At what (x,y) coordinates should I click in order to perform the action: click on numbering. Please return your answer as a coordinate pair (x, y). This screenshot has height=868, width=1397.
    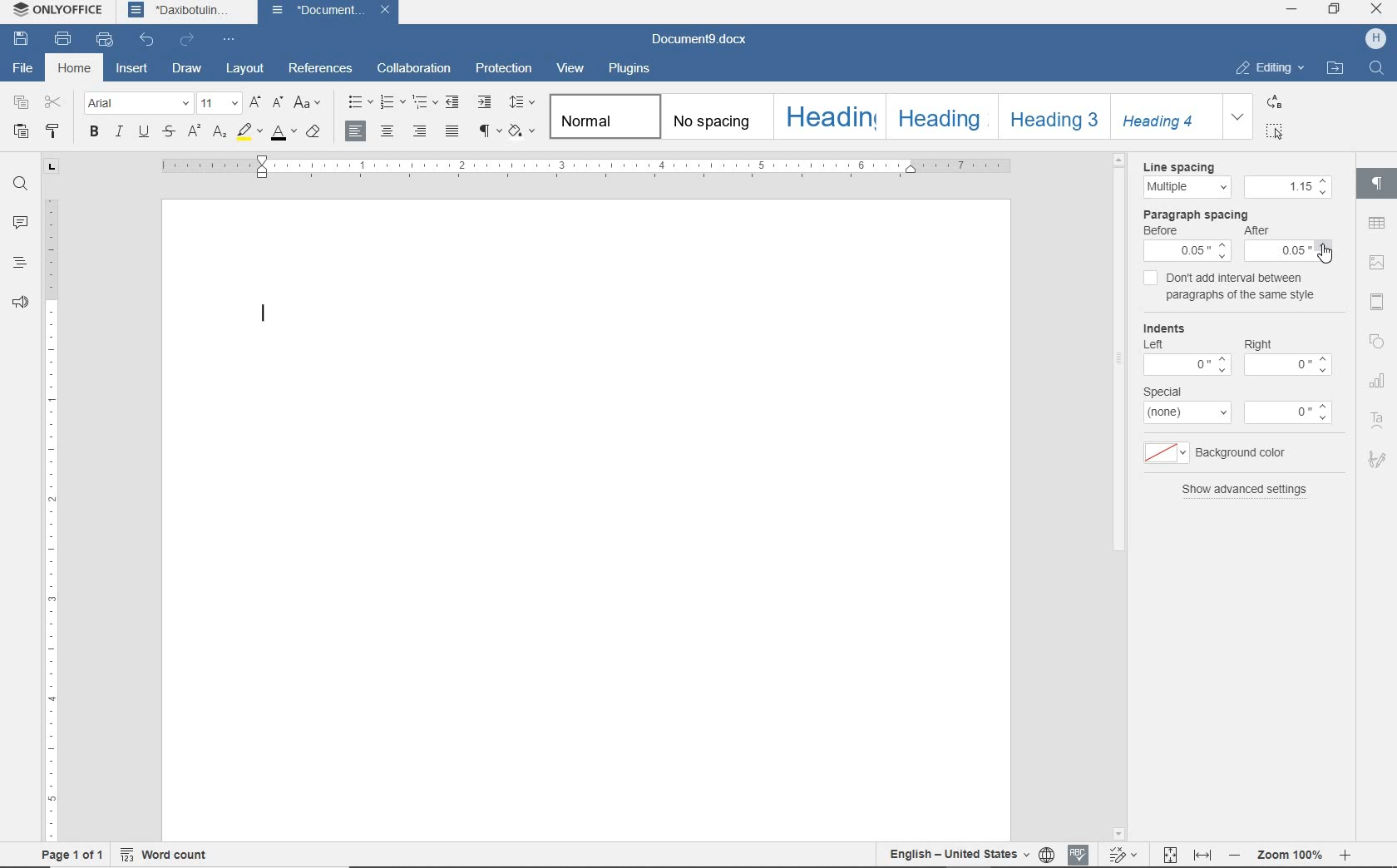
    Looking at the image, I should click on (394, 103).